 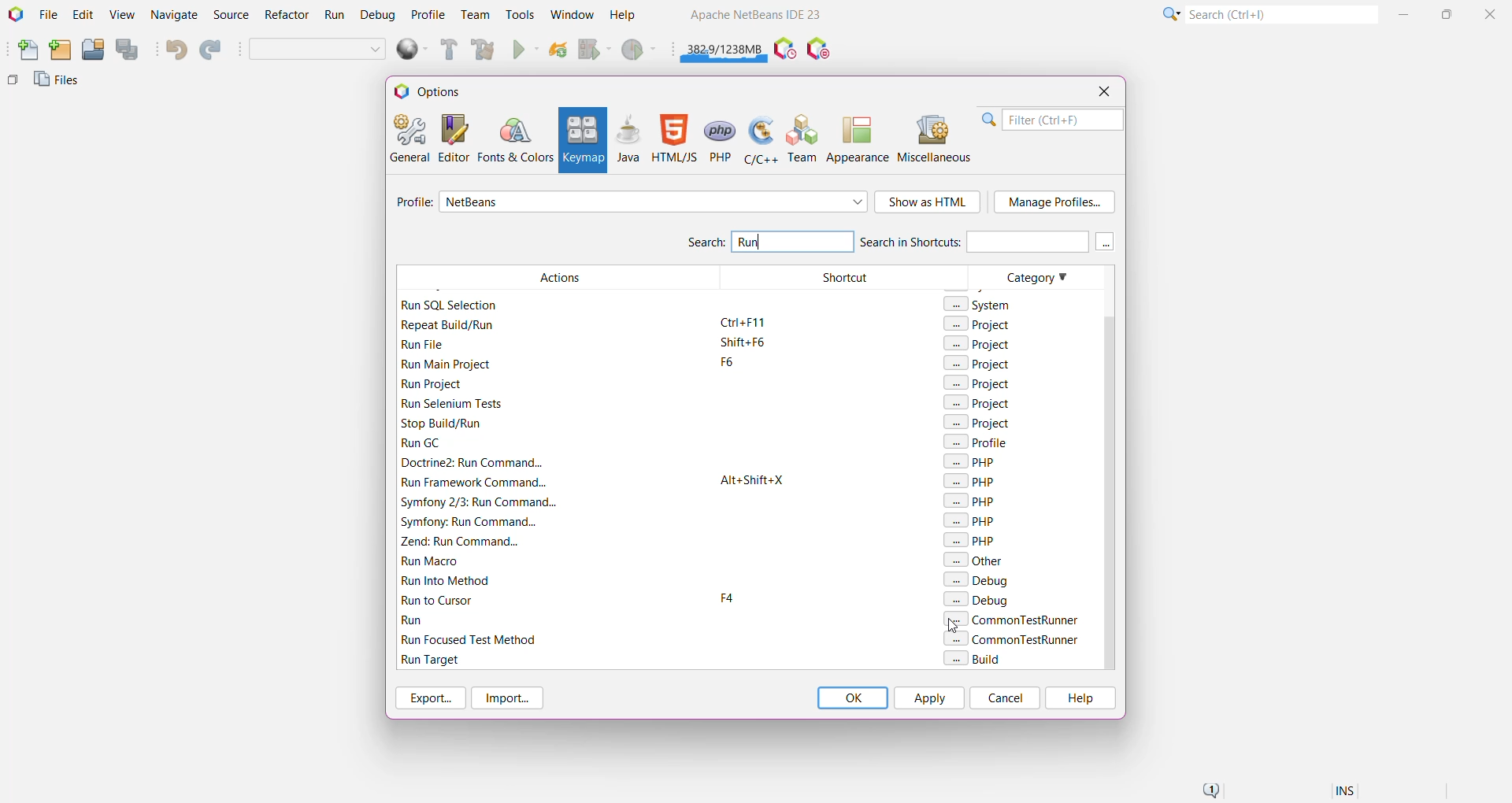 What do you see at coordinates (435, 91) in the screenshot?
I see `Options` at bounding box center [435, 91].